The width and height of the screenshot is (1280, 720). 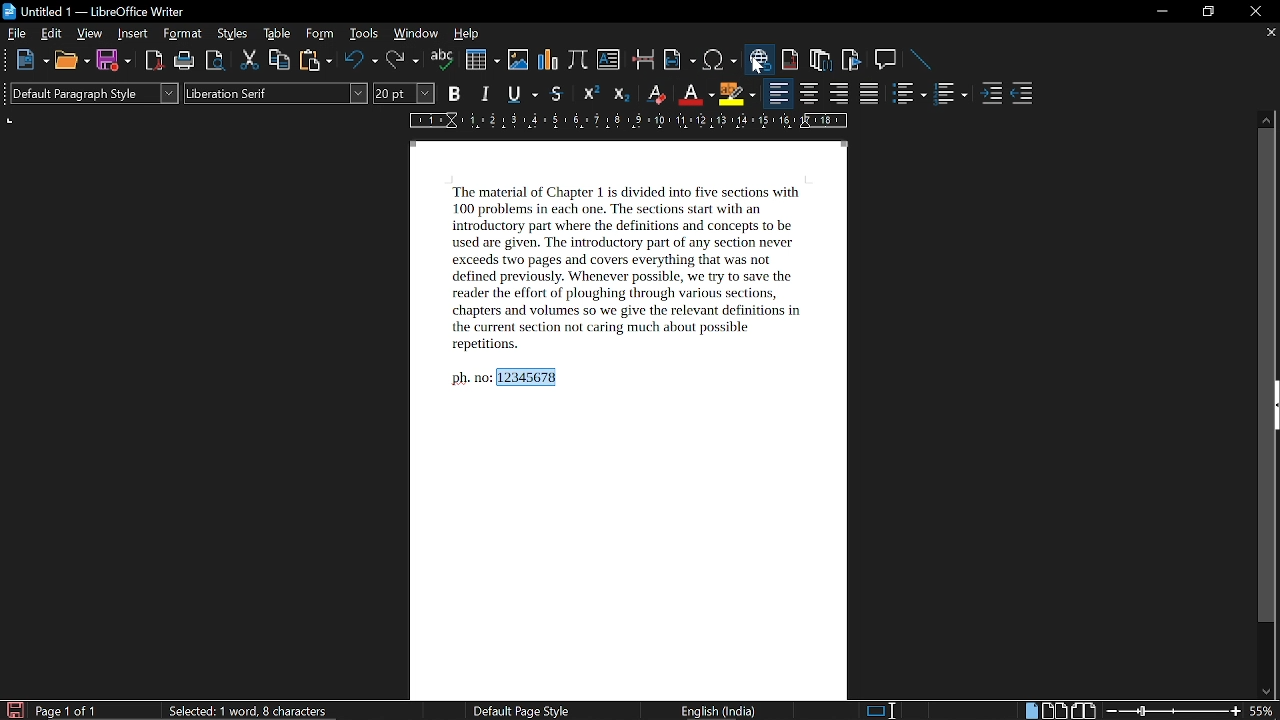 I want to click on file, so click(x=18, y=34).